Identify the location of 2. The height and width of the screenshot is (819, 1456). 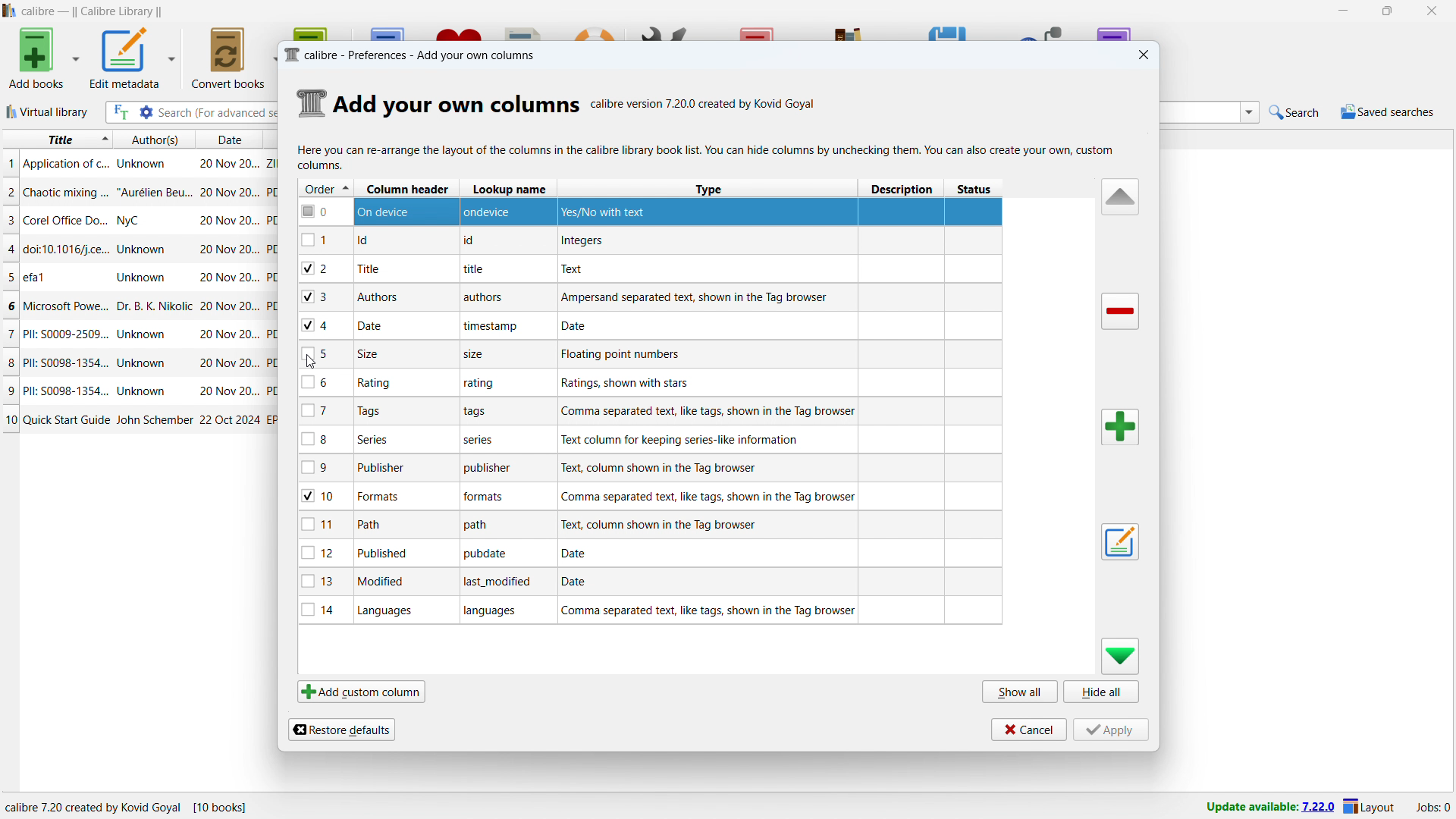
(325, 267).